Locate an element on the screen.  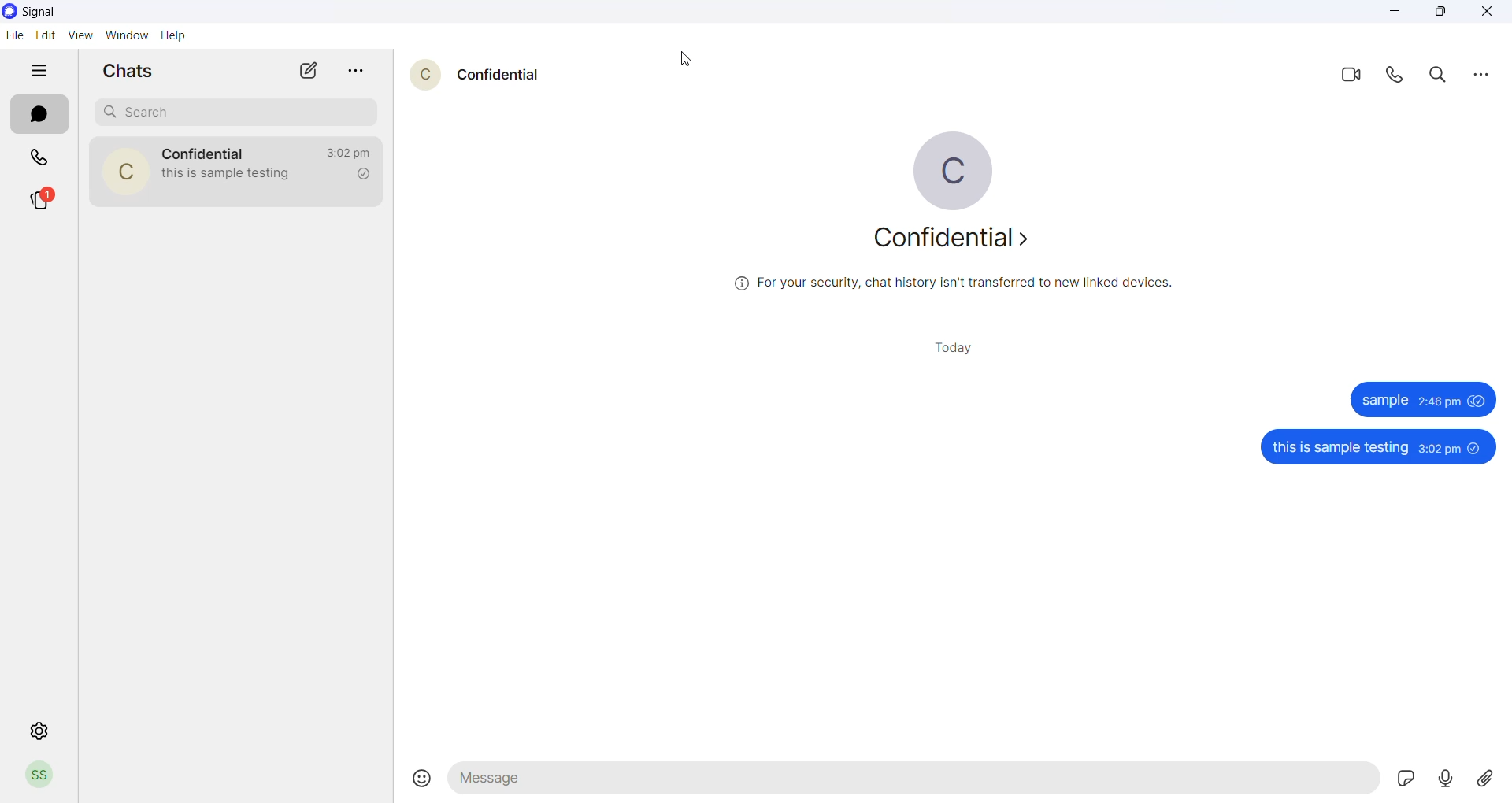
edit is located at coordinates (44, 34).